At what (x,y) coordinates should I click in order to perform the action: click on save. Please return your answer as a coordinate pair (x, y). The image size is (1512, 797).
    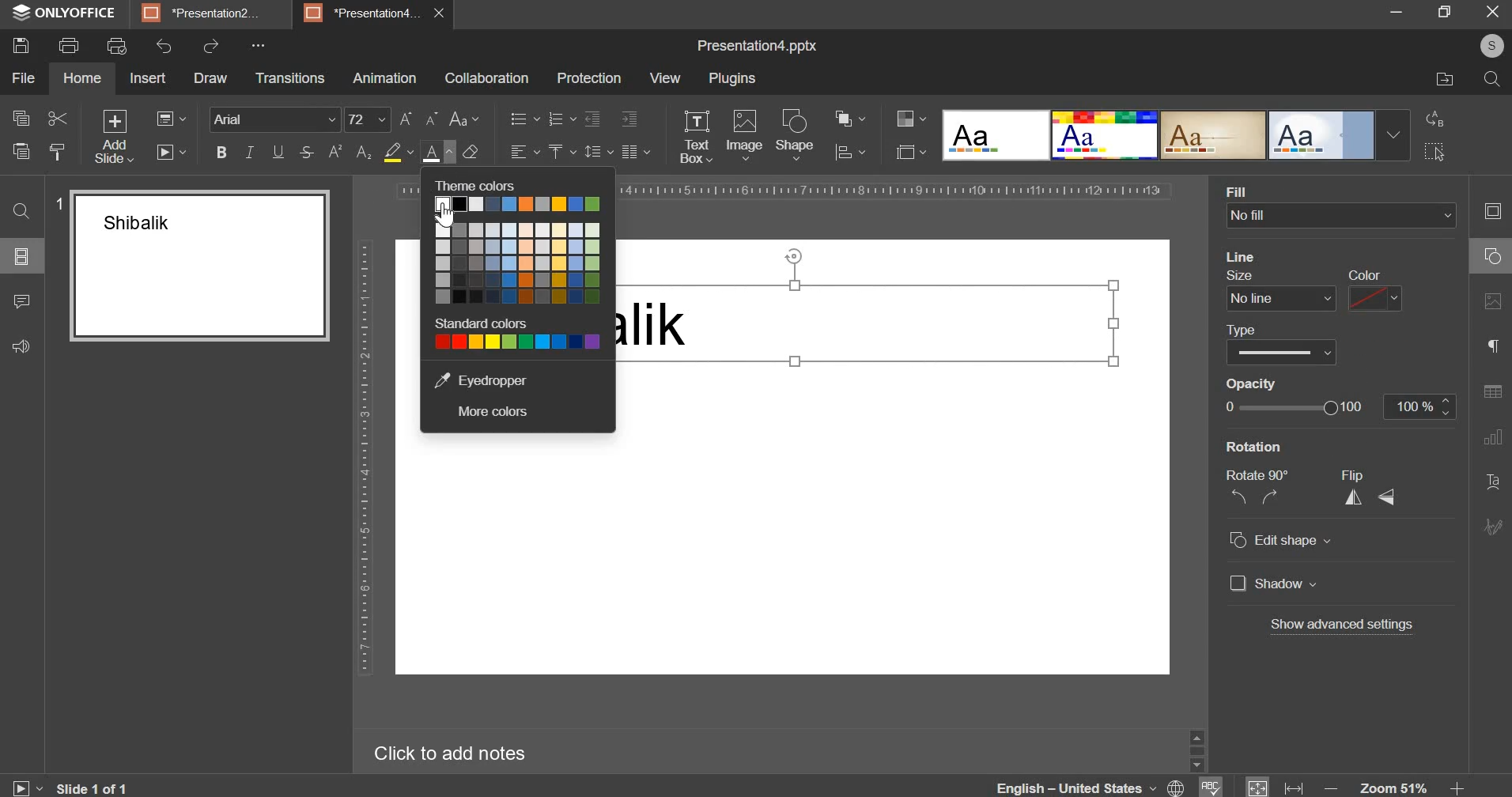
    Looking at the image, I should click on (20, 46).